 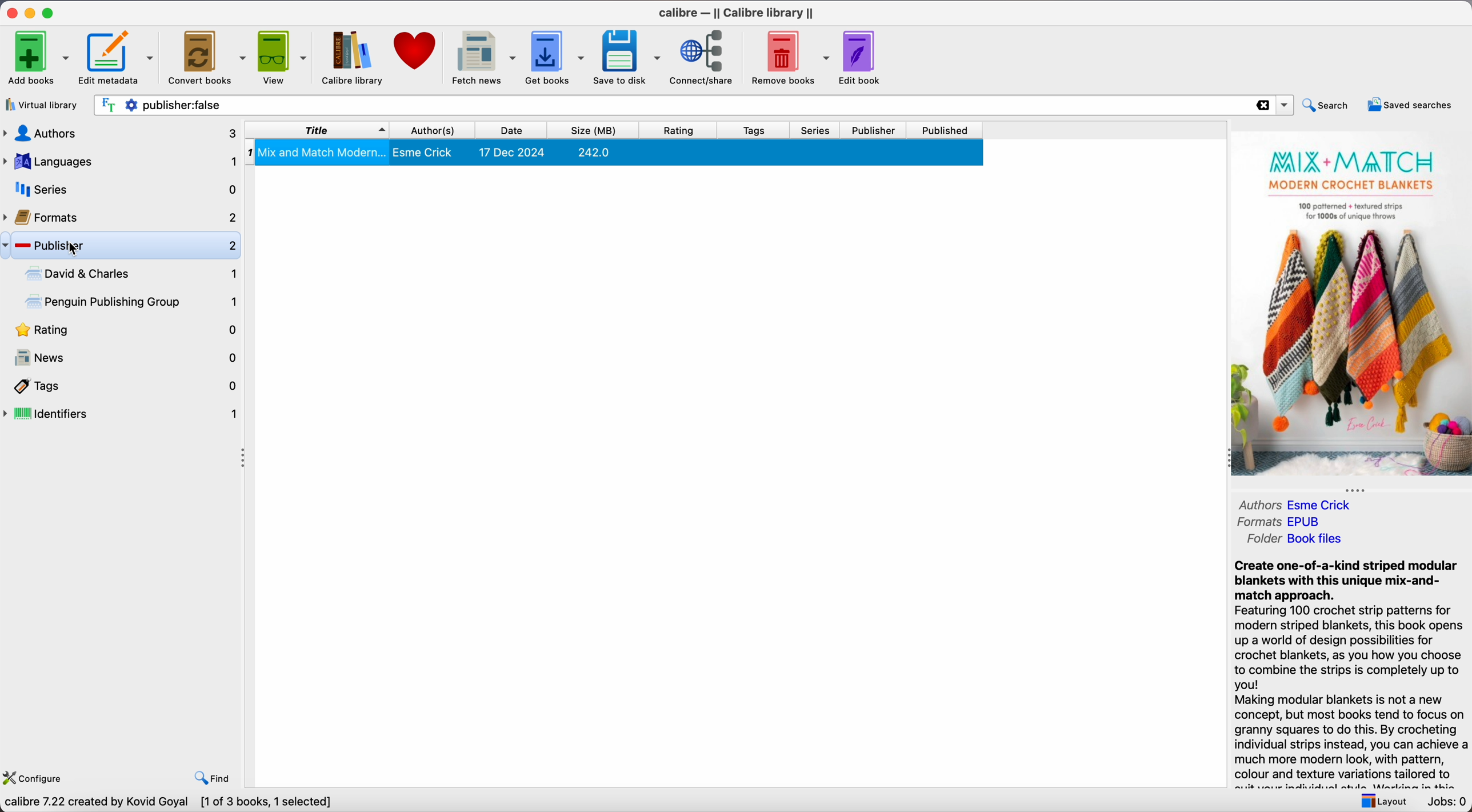 What do you see at coordinates (119, 189) in the screenshot?
I see `series` at bounding box center [119, 189].